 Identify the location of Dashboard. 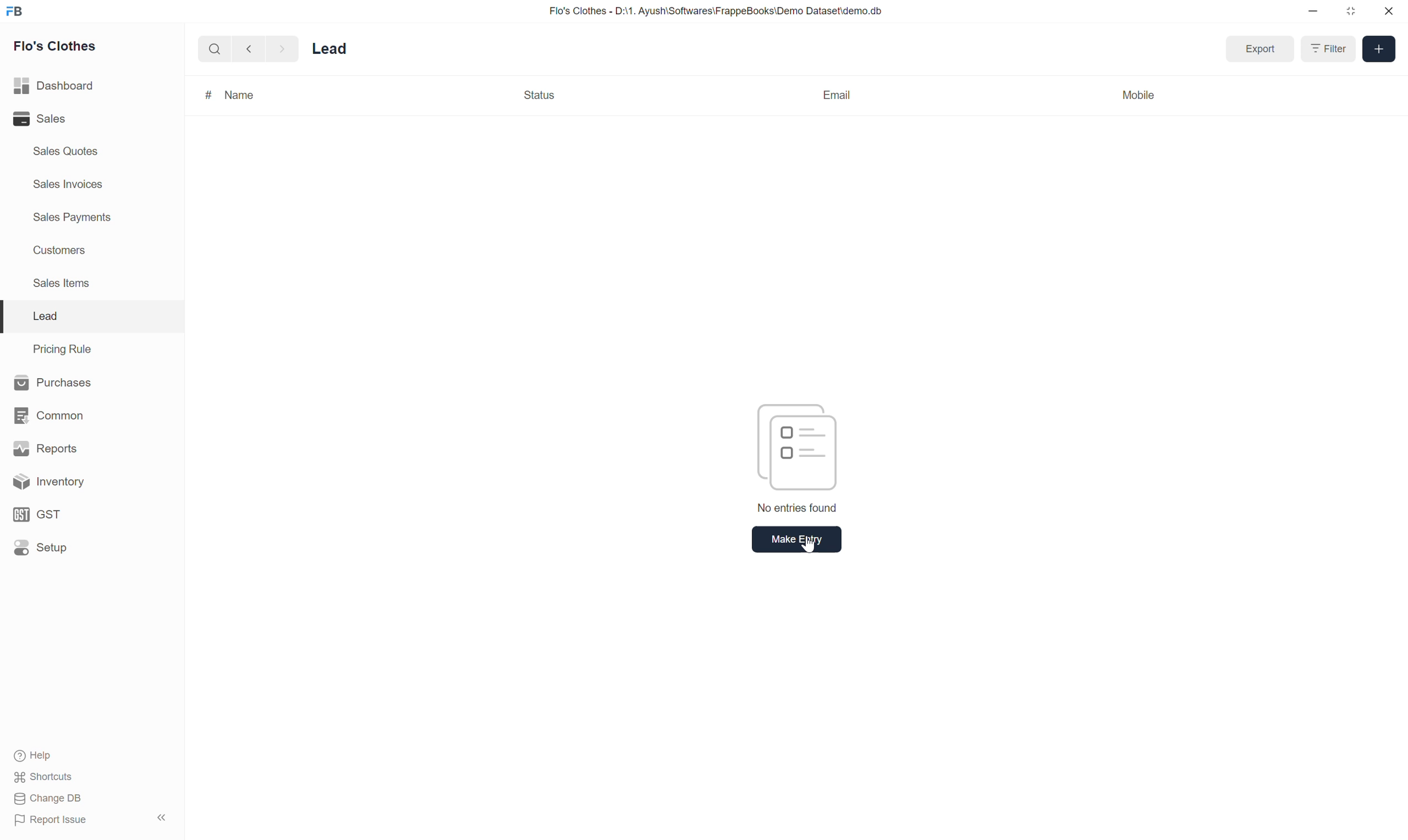
(54, 87).